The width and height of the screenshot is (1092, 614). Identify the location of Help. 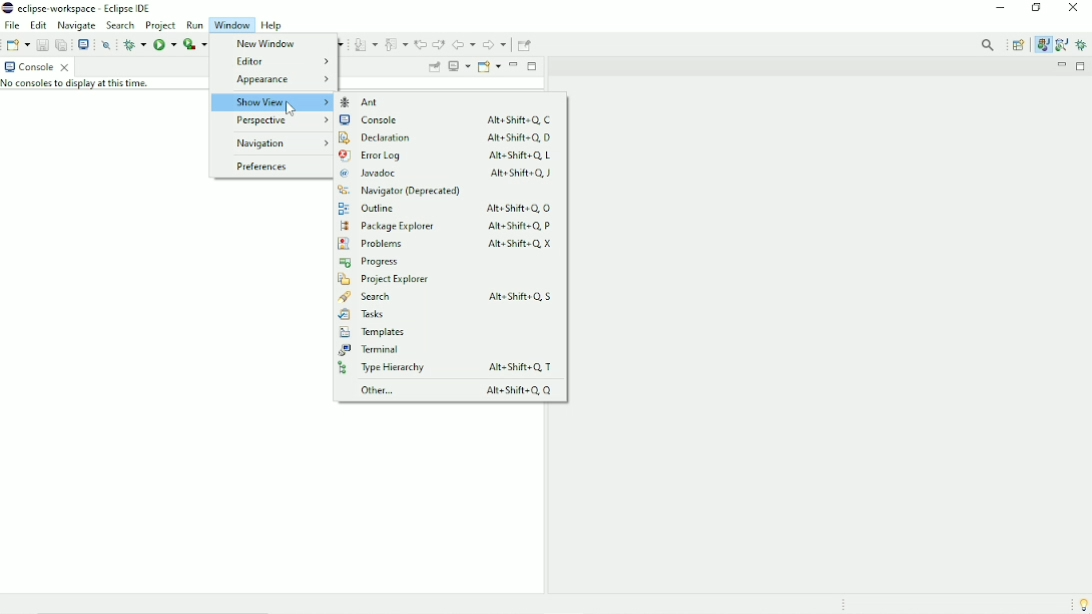
(275, 25).